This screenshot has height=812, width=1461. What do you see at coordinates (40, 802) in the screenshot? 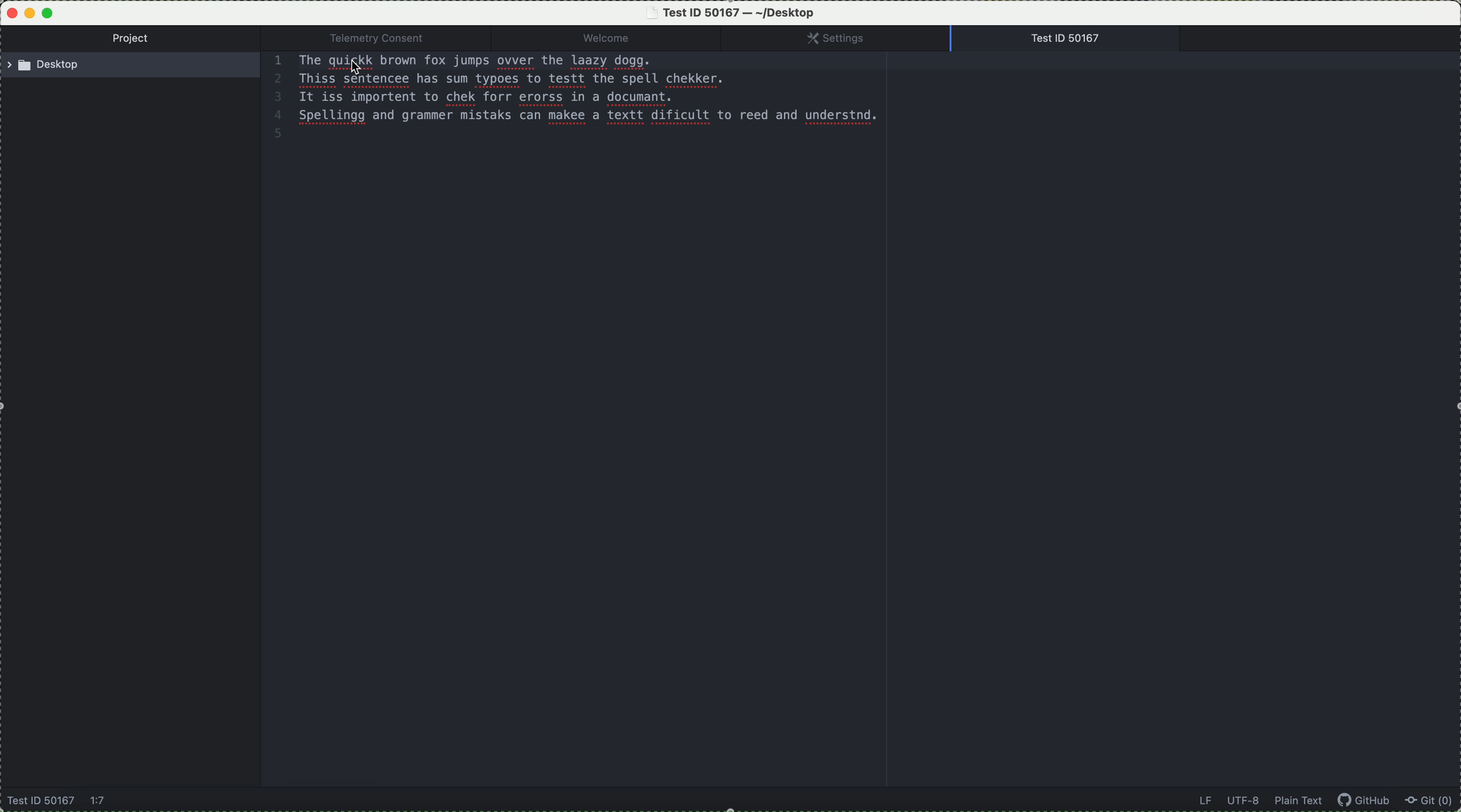
I see `name file` at bounding box center [40, 802].